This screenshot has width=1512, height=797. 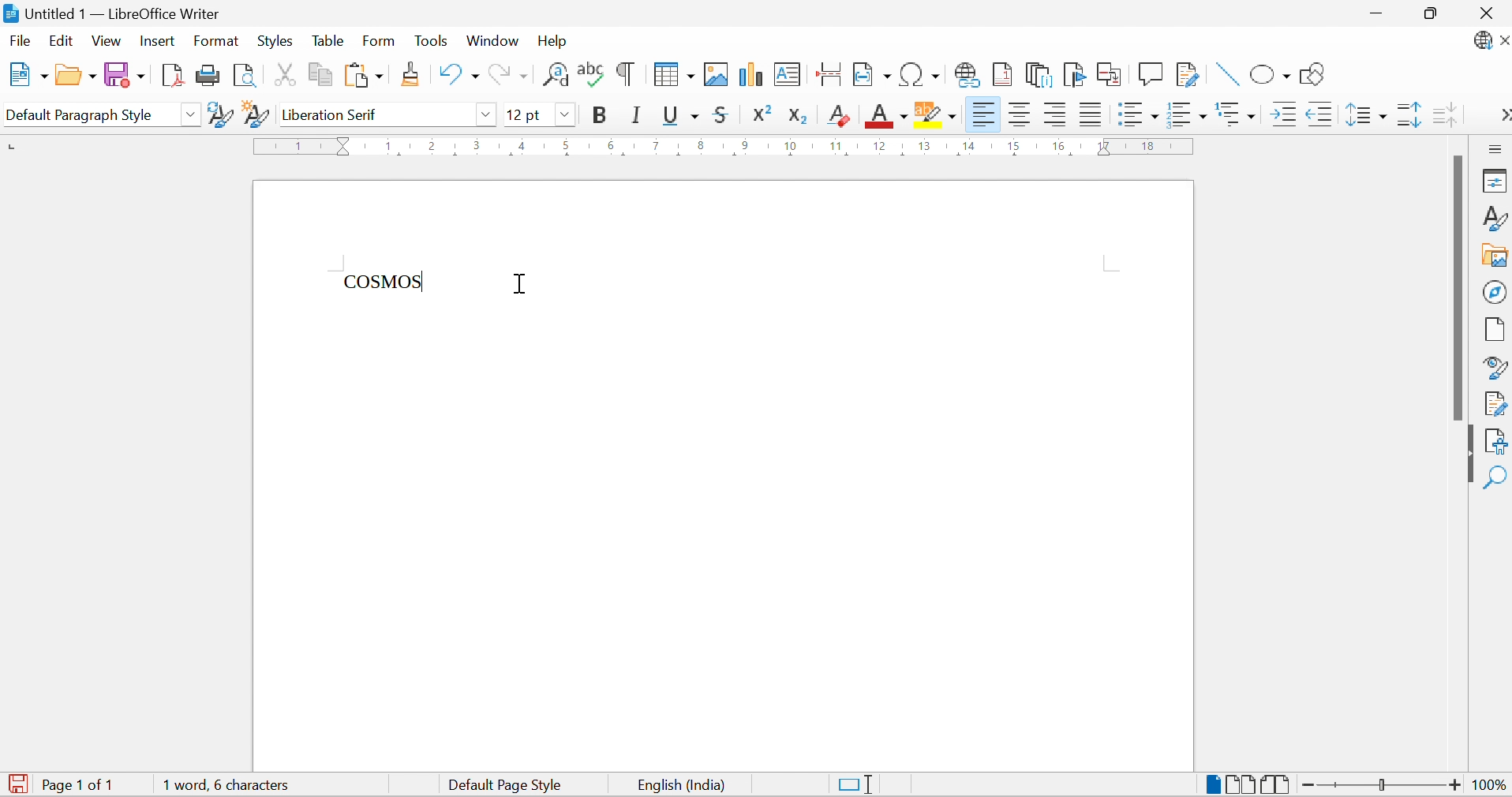 What do you see at coordinates (767, 113) in the screenshot?
I see `Superscript` at bounding box center [767, 113].